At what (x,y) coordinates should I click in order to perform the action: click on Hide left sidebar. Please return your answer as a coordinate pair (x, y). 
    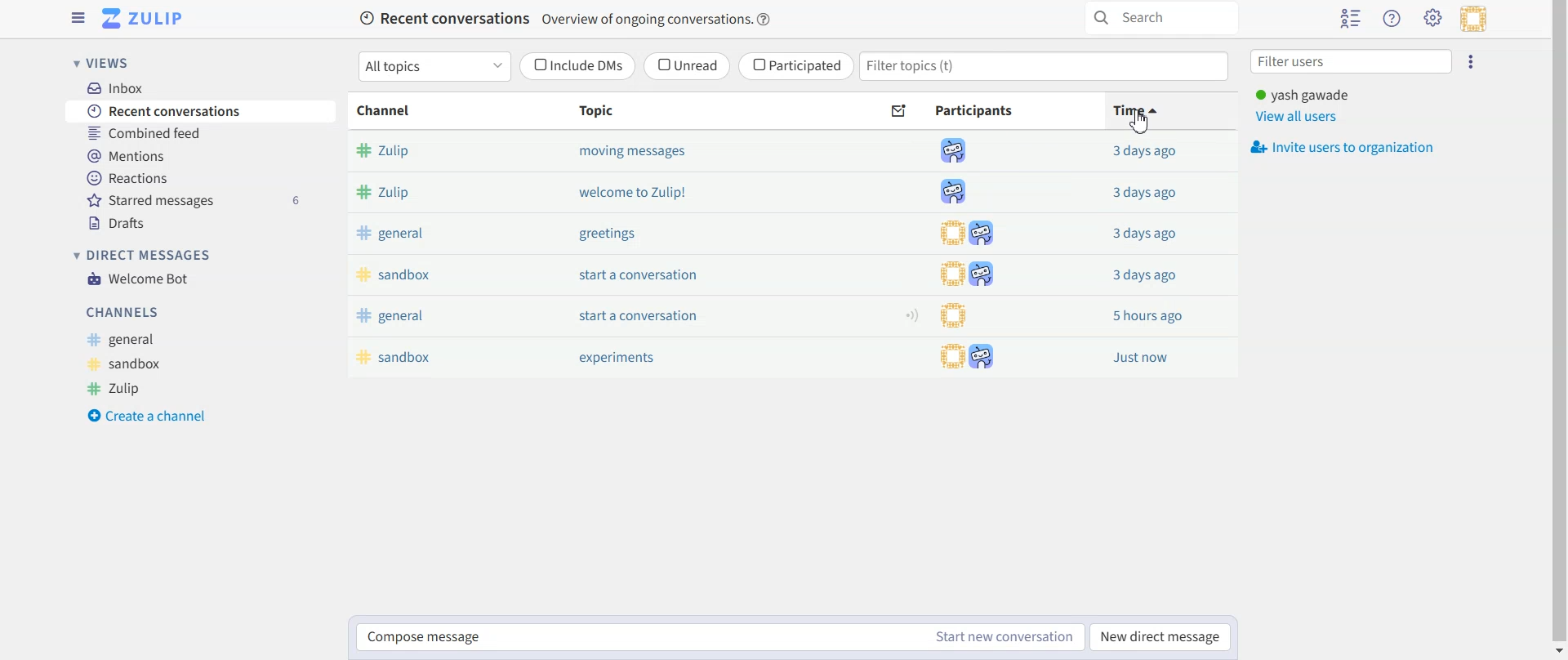
    Looking at the image, I should click on (78, 18).